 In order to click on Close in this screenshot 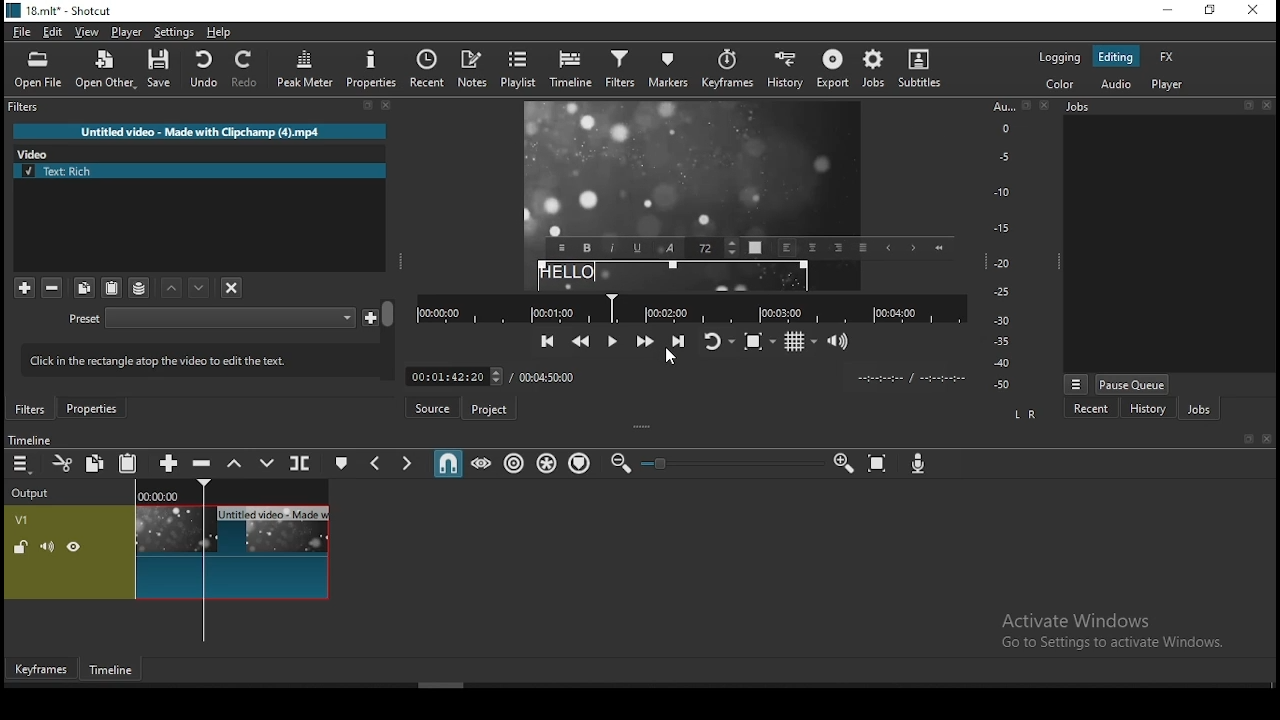, I will do `click(1045, 104)`.